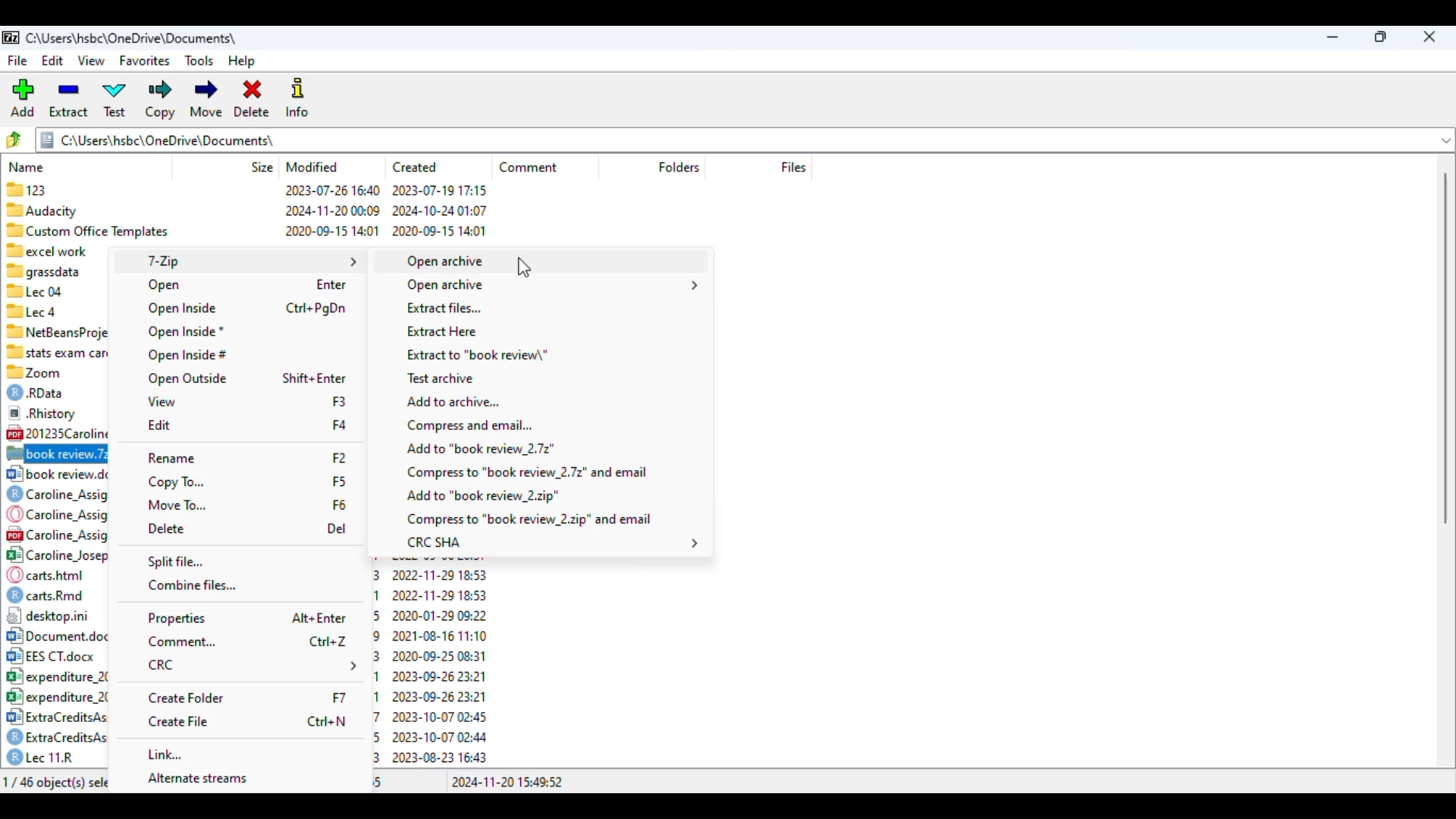 The height and width of the screenshot is (819, 1456). What do you see at coordinates (115, 100) in the screenshot?
I see `test` at bounding box center [115, 100].